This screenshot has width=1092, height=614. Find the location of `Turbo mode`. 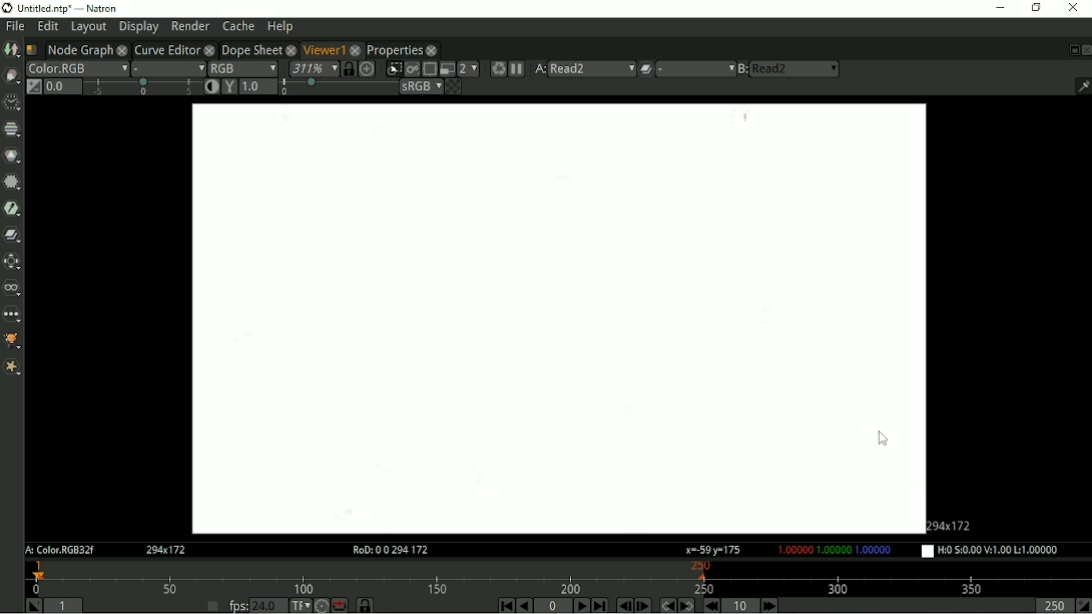

Turbo mode is located at coordinates (321, 605).